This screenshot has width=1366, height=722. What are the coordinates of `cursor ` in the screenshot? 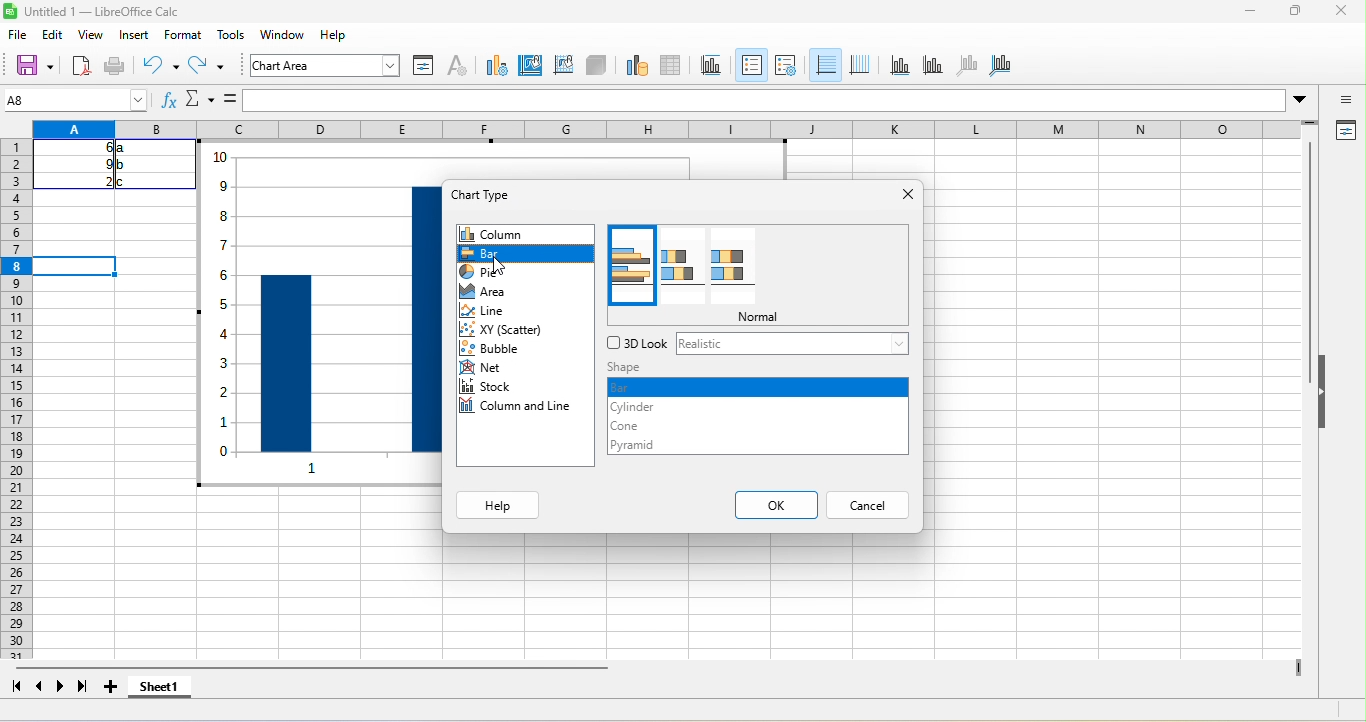 It's located at (501, 268).